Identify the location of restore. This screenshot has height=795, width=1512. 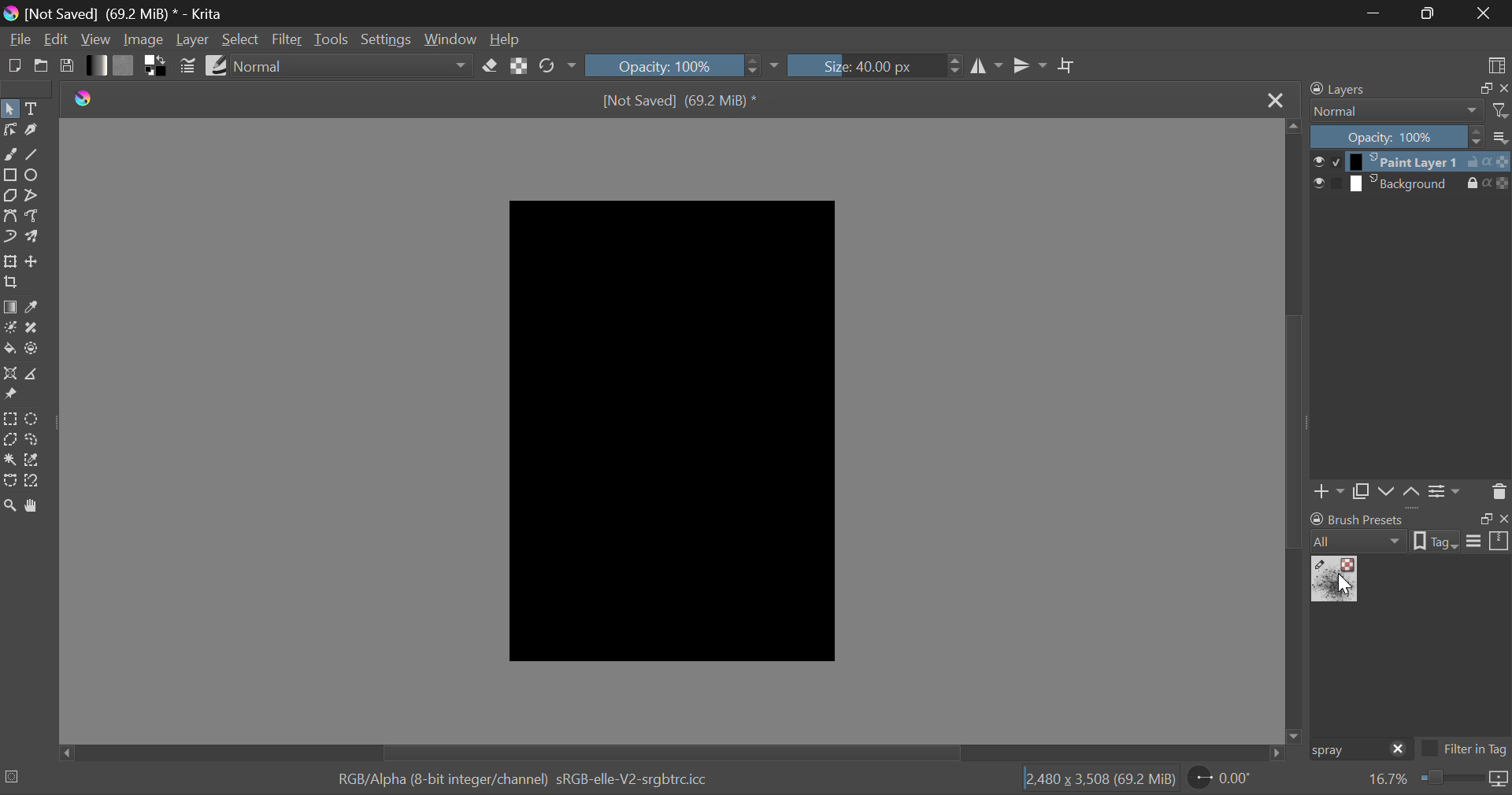
(1483, 89).